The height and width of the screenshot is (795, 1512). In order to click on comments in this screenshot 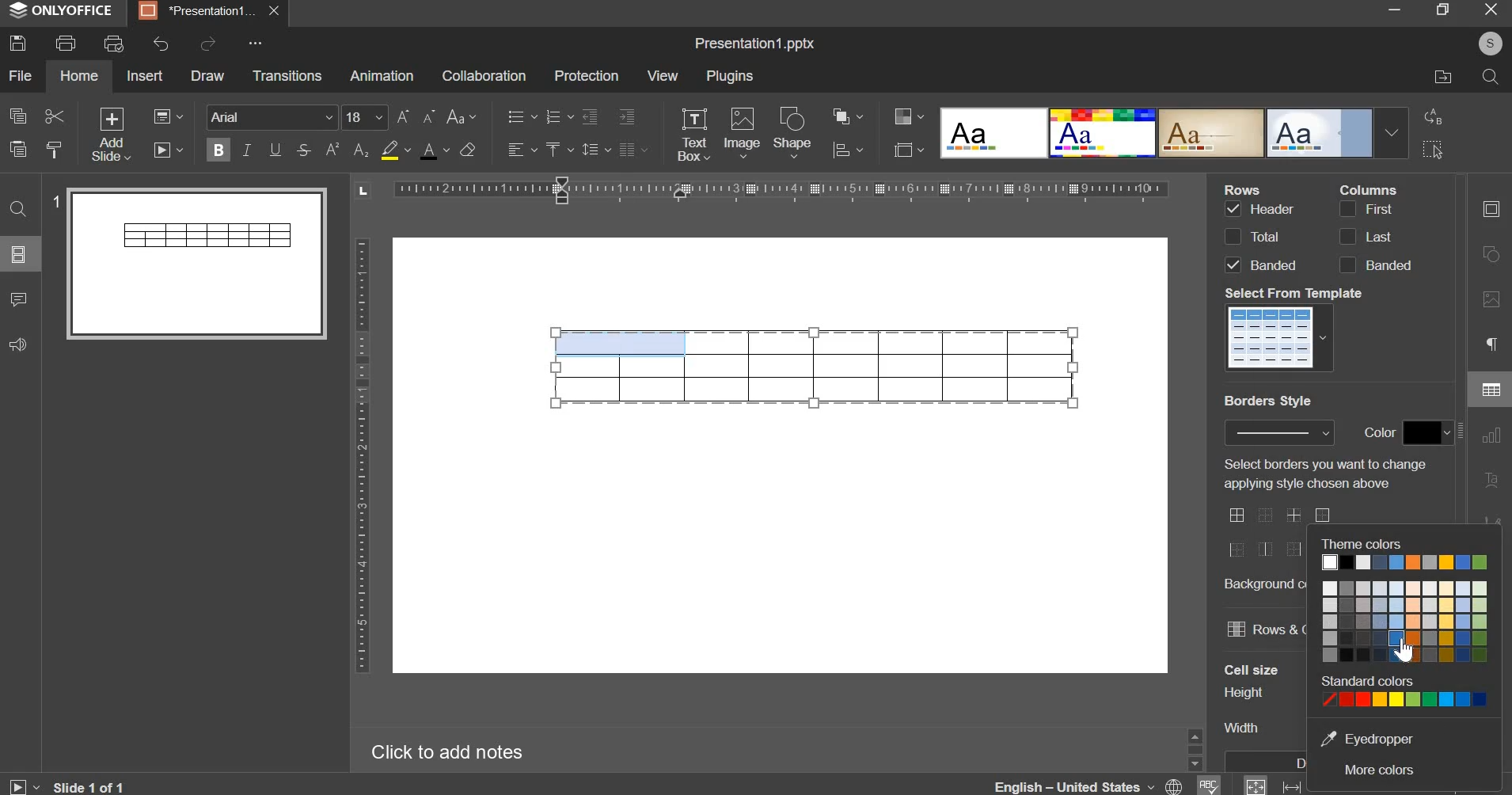, I will do `click(18, 299)`.